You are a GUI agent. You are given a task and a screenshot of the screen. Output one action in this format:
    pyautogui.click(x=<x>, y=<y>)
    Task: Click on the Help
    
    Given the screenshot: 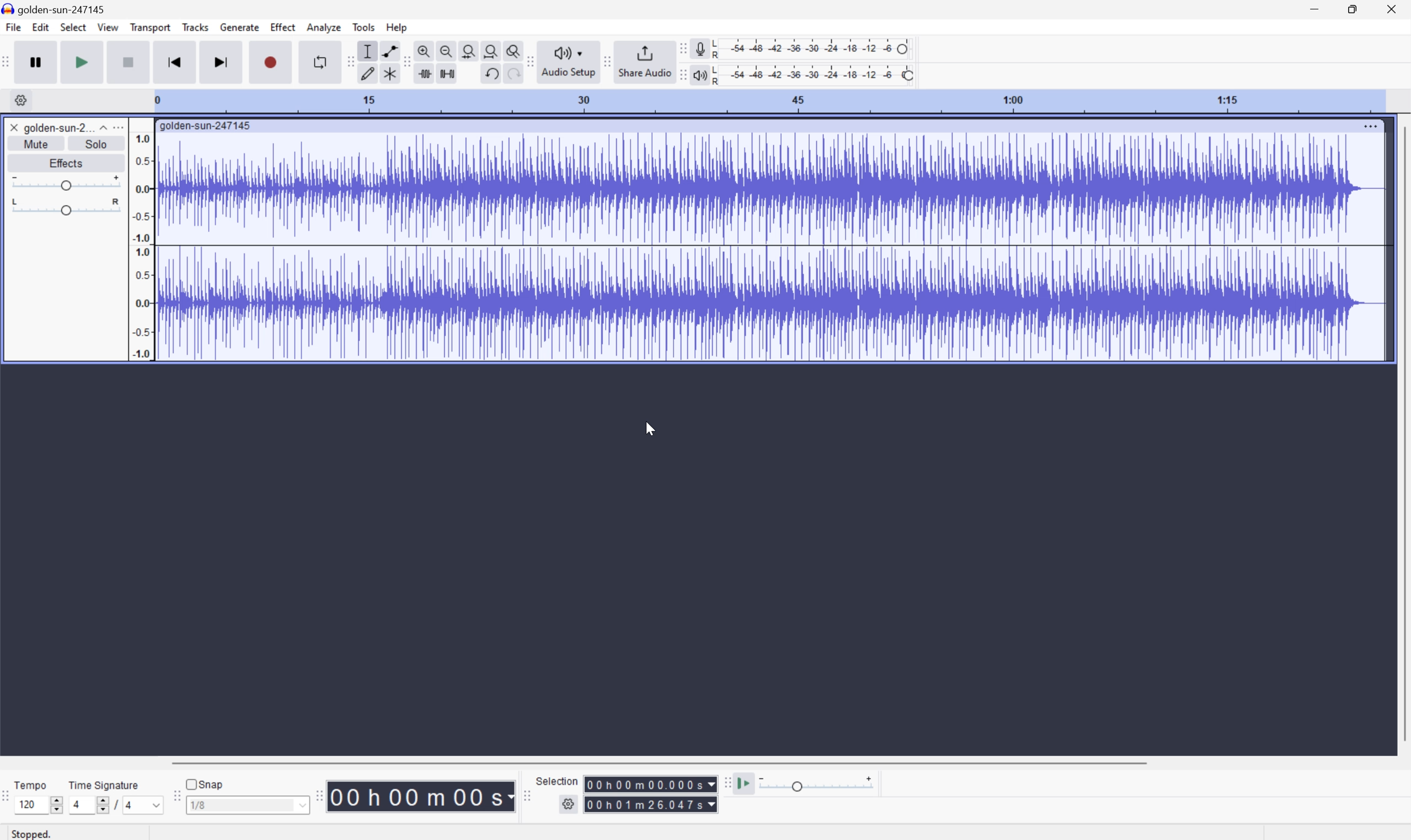 What is the action you would take?
    pyautogui.click(x=398, y=28)
    